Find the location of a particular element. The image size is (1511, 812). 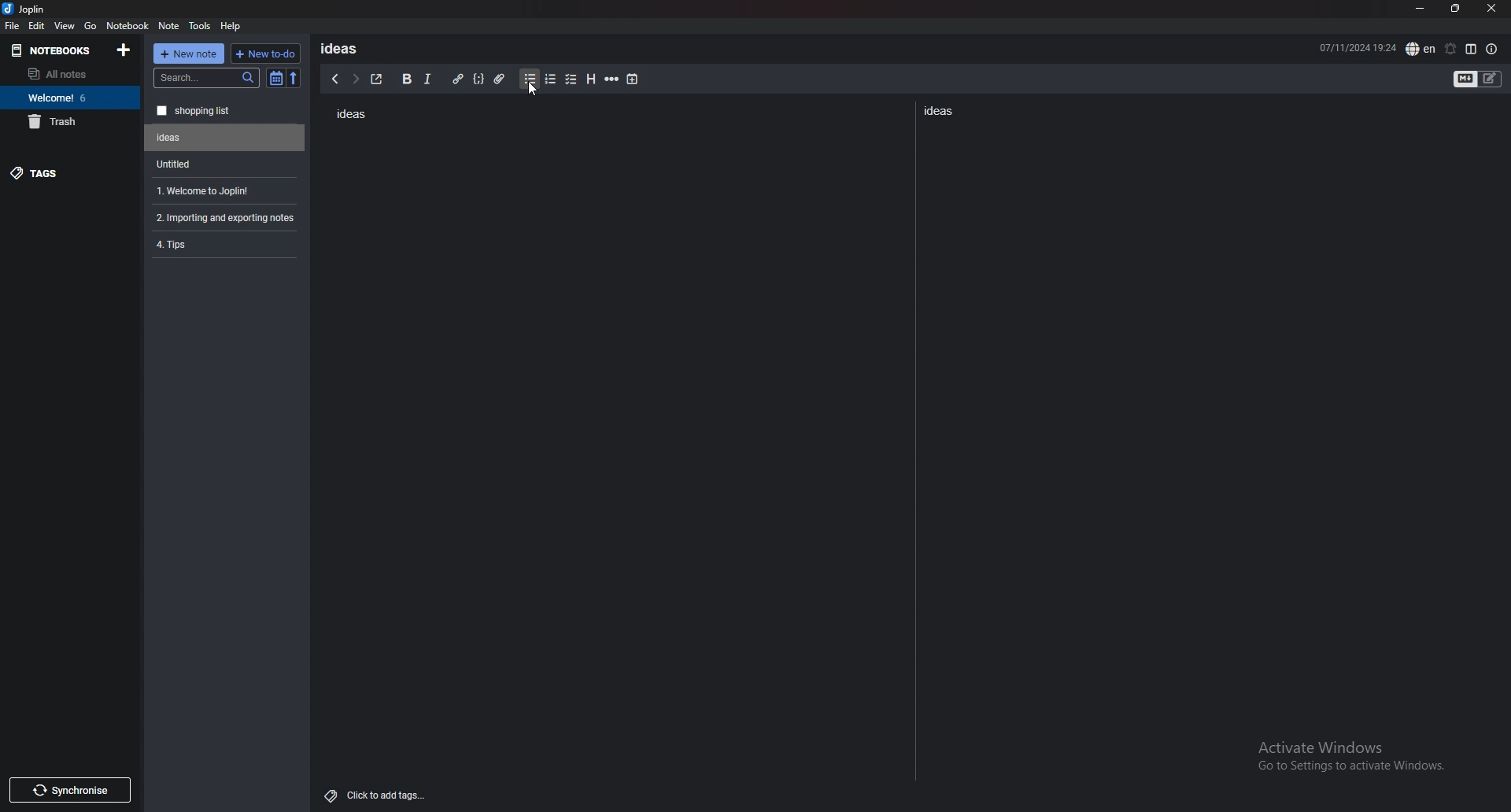

add time is located at coordinates (634, 79).